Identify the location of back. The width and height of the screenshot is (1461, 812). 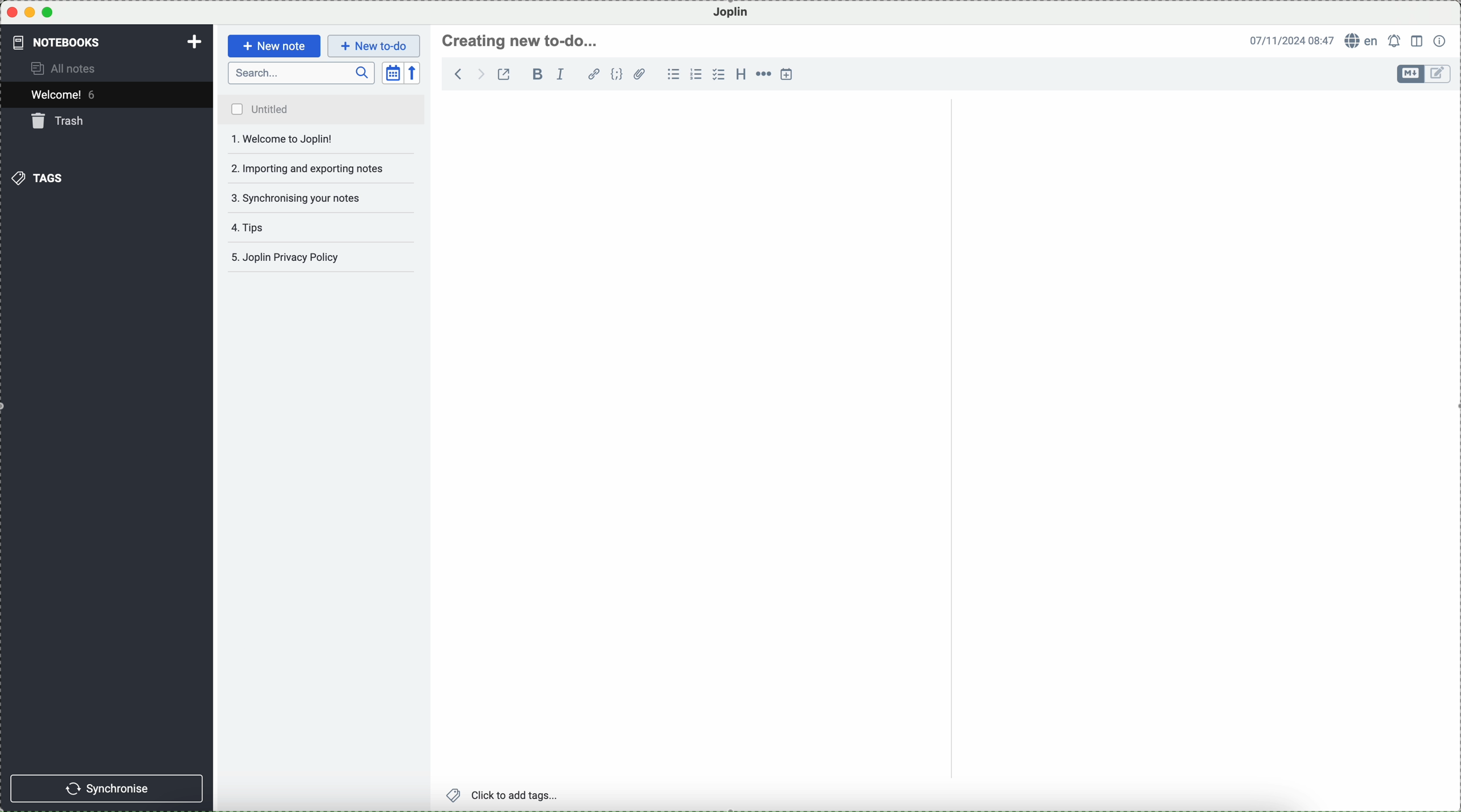
(459, 73).